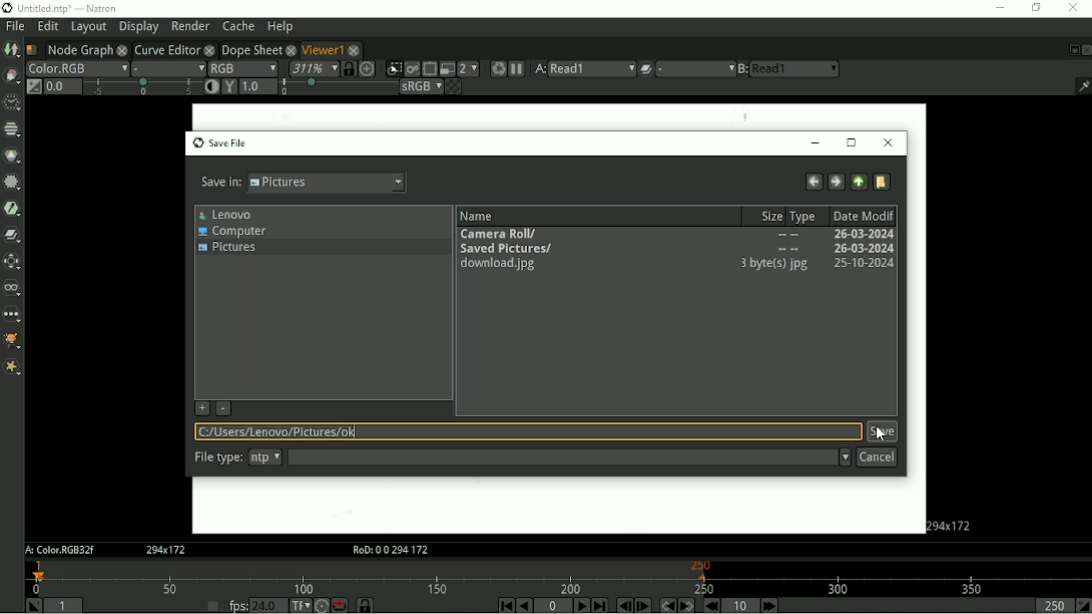  Describe the element at coordinates (313, 68) in the screenshot. I see `Zoom` at that location.